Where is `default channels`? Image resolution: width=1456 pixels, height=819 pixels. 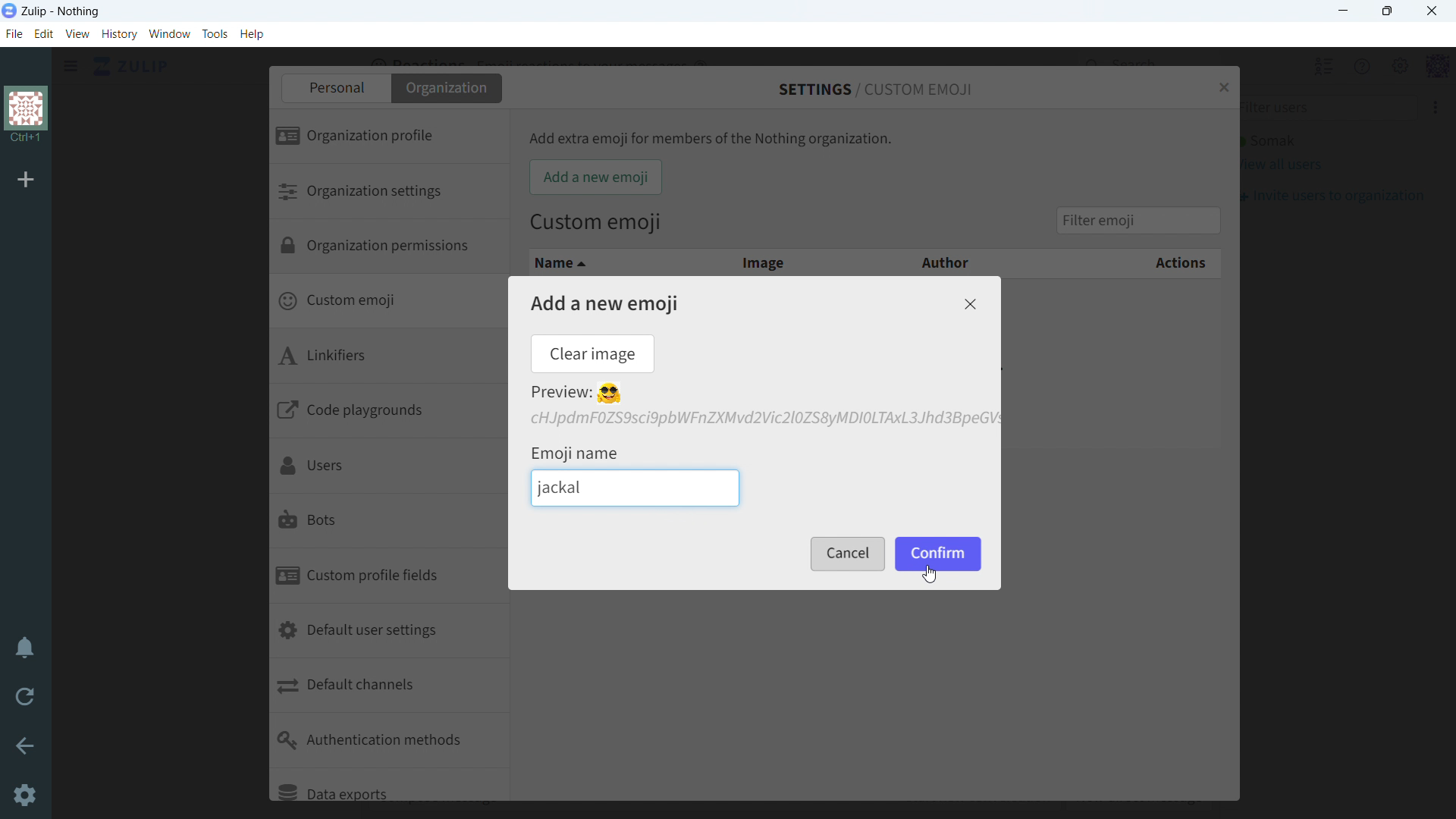 default channels is located at coordinates (390, 687).